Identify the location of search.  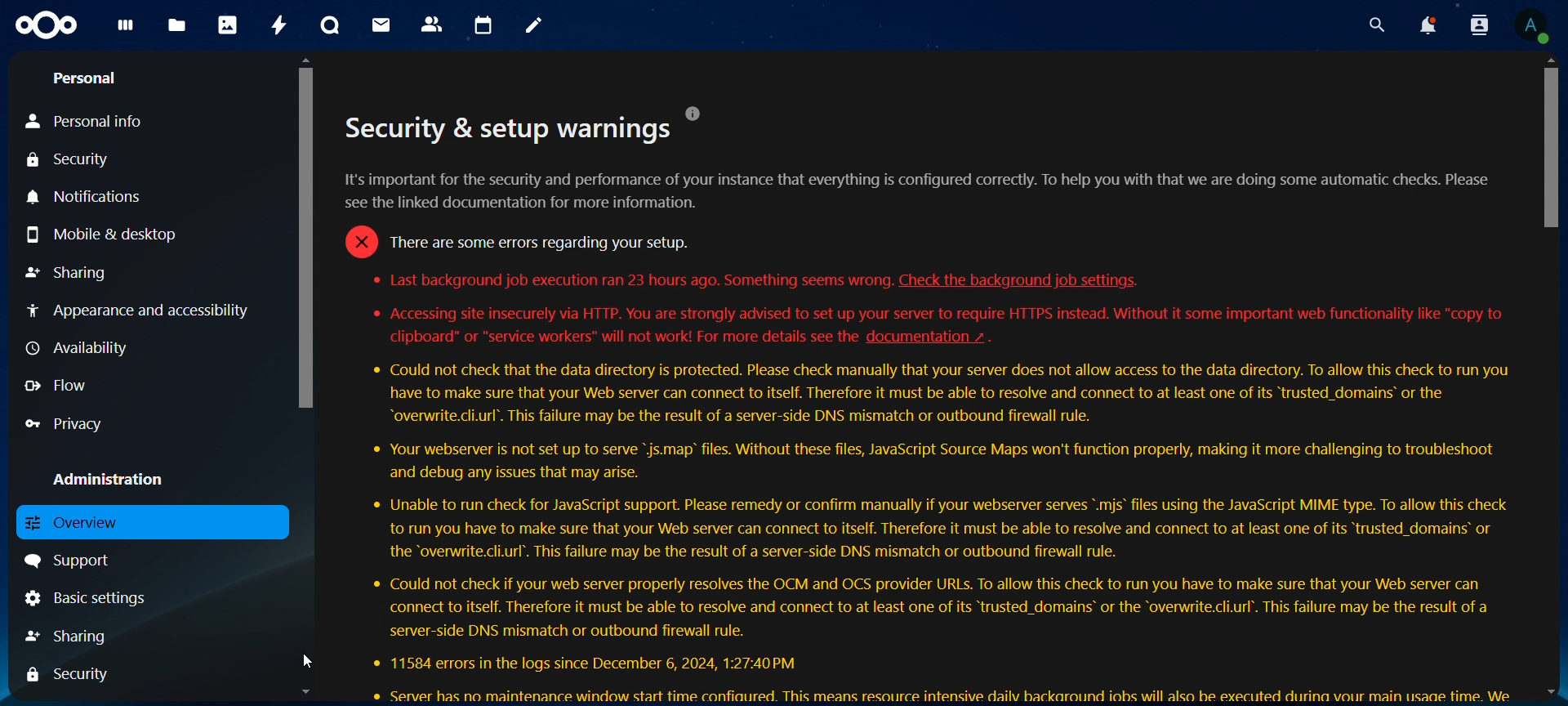
(1379, 25).